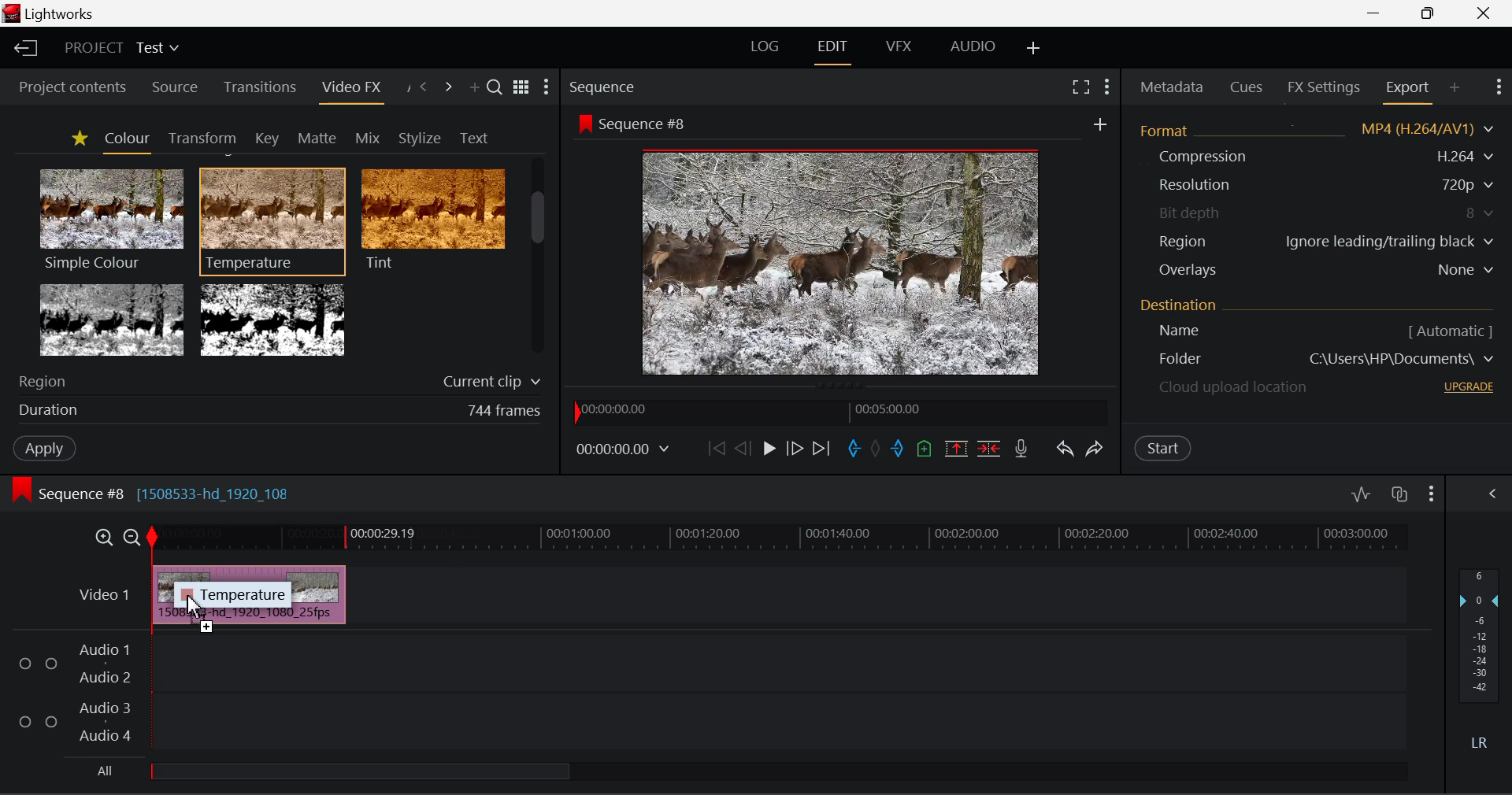  Describe the element at coordinates (102, 708) in the screenshot. I see `Audio 3` at that location.